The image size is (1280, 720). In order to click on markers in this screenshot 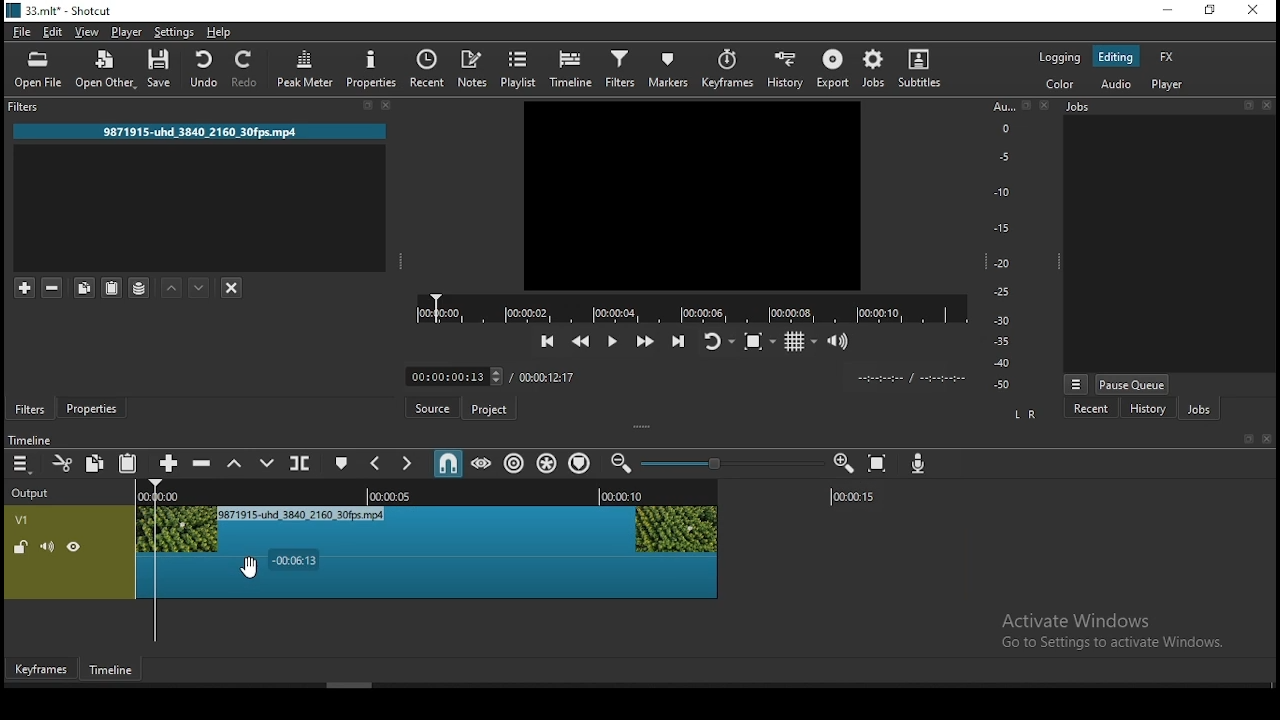, I will do `click(670, 68)`.